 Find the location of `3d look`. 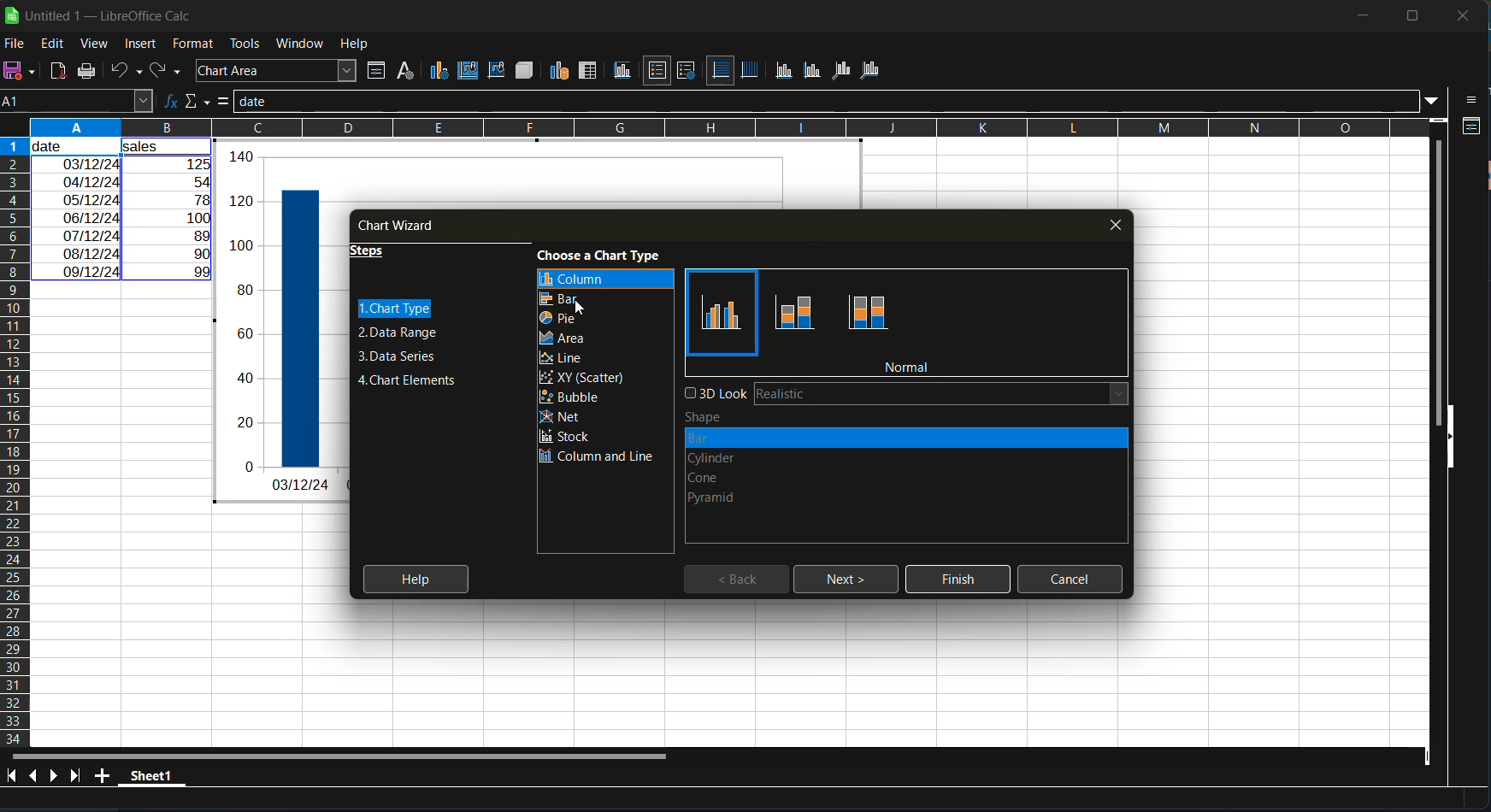

3d look is located at coordinates (908, 392).